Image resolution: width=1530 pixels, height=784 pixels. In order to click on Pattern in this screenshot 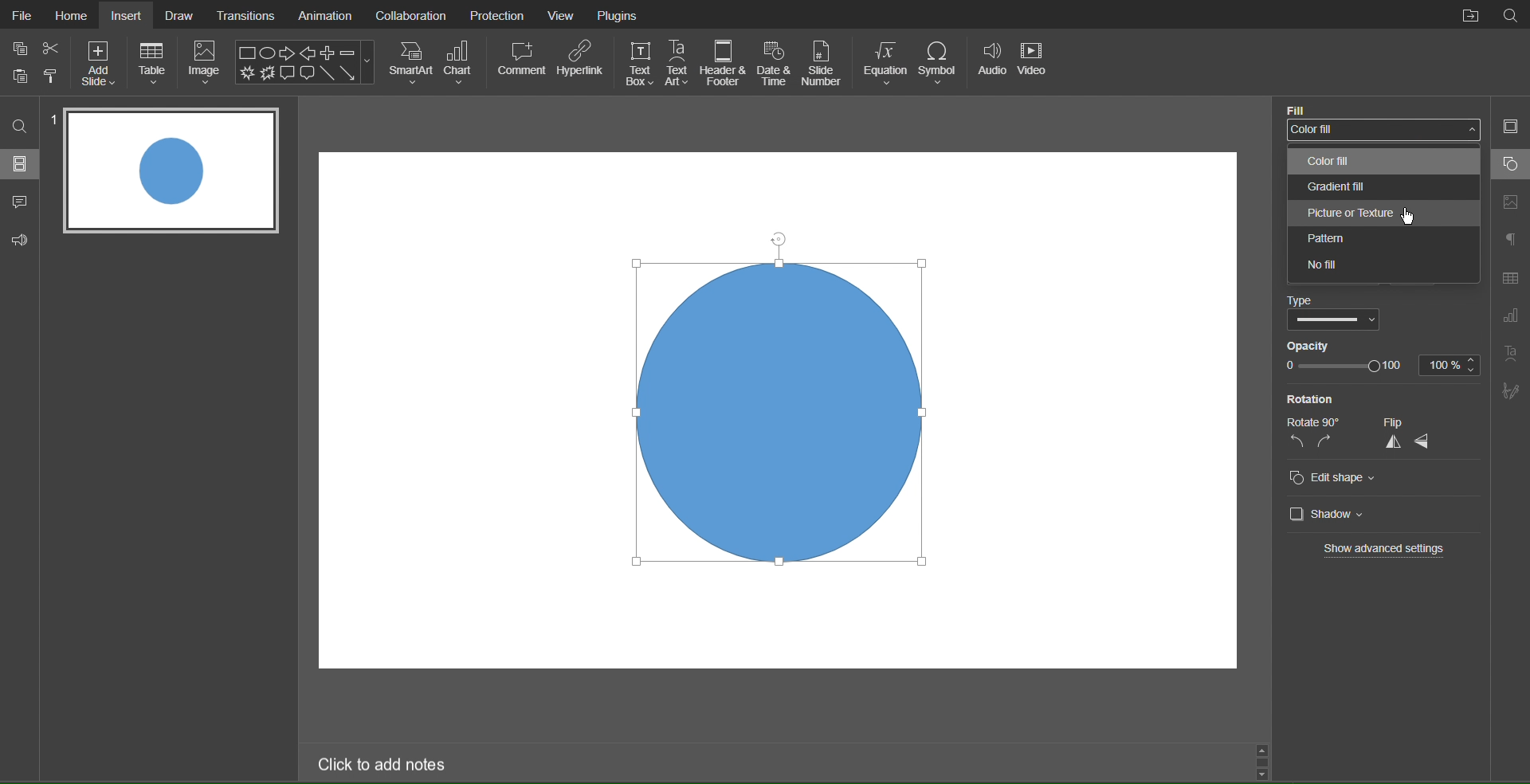, I will do `click(1379, 239)`.